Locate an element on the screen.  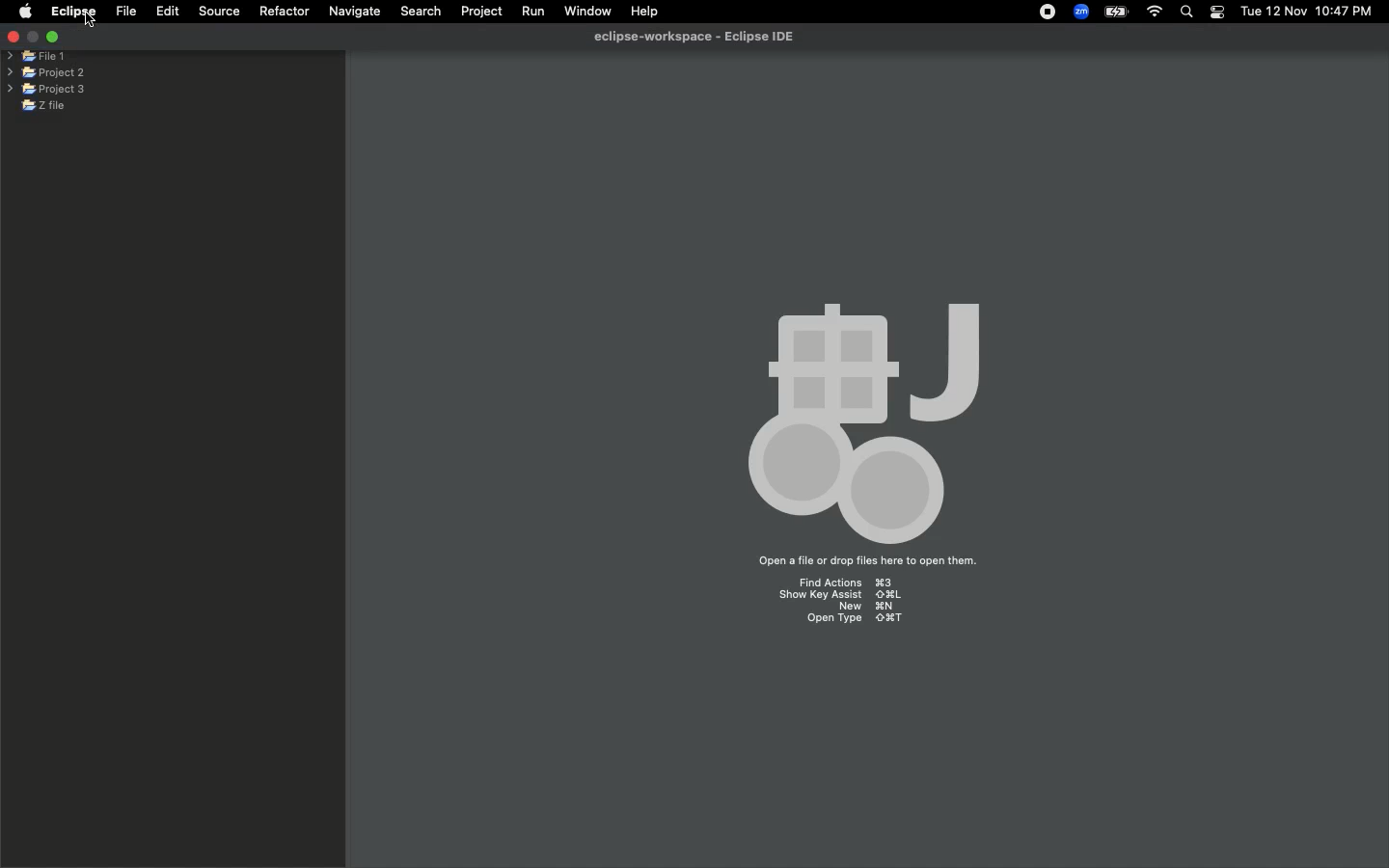
Window is located at coordinates (586, 11).